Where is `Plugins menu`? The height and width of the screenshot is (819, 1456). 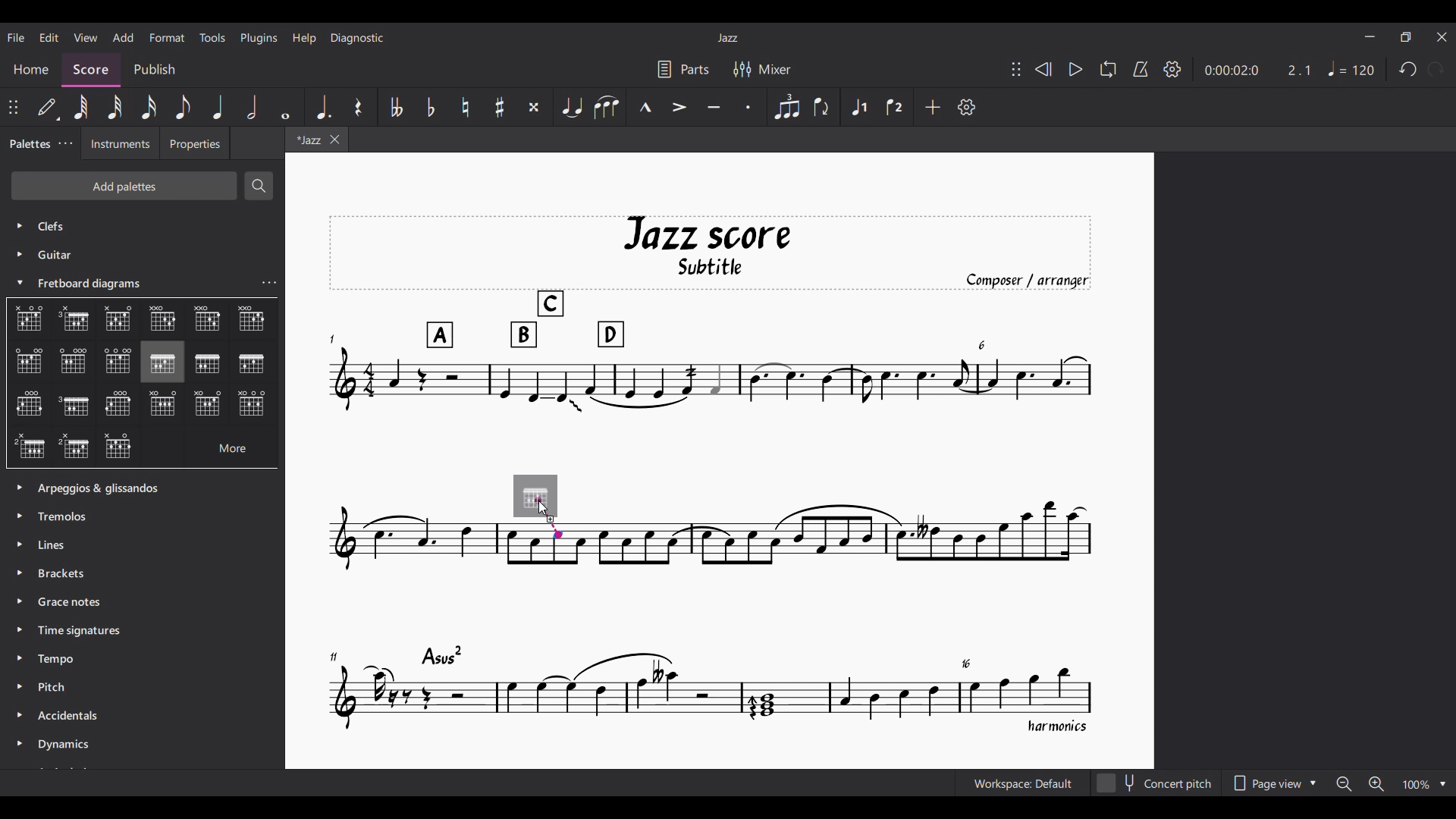 Plugins menu is located at coordinates (259, 39).